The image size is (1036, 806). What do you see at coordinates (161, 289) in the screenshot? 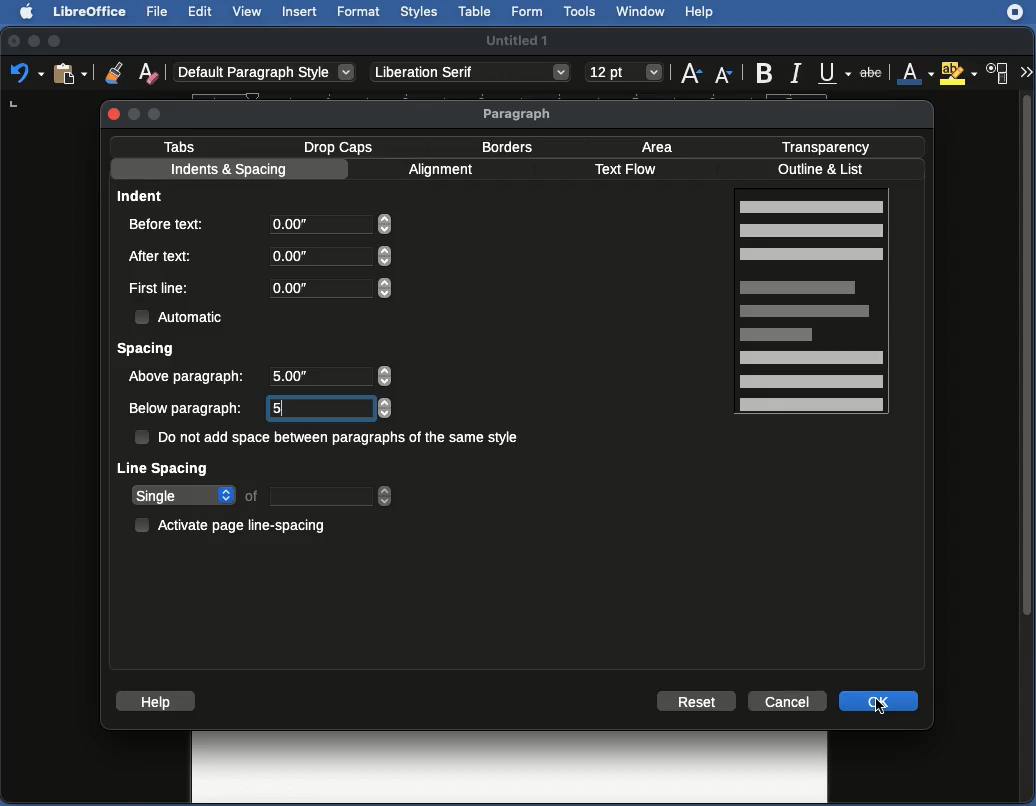
I see `First line` at bounding box center [161, 289].